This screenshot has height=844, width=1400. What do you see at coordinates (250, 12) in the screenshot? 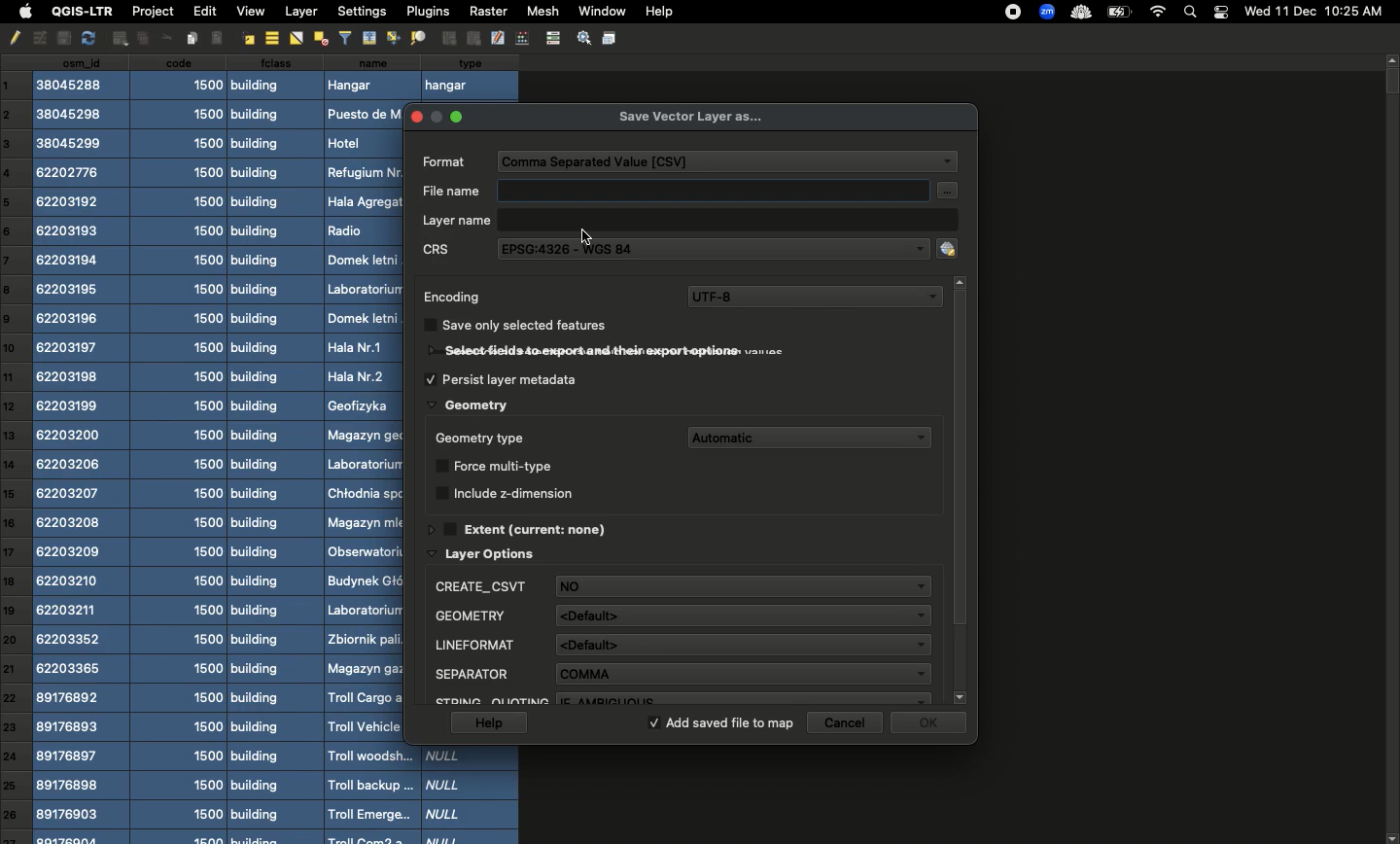
I see `View` at bounding box center [250, 12].